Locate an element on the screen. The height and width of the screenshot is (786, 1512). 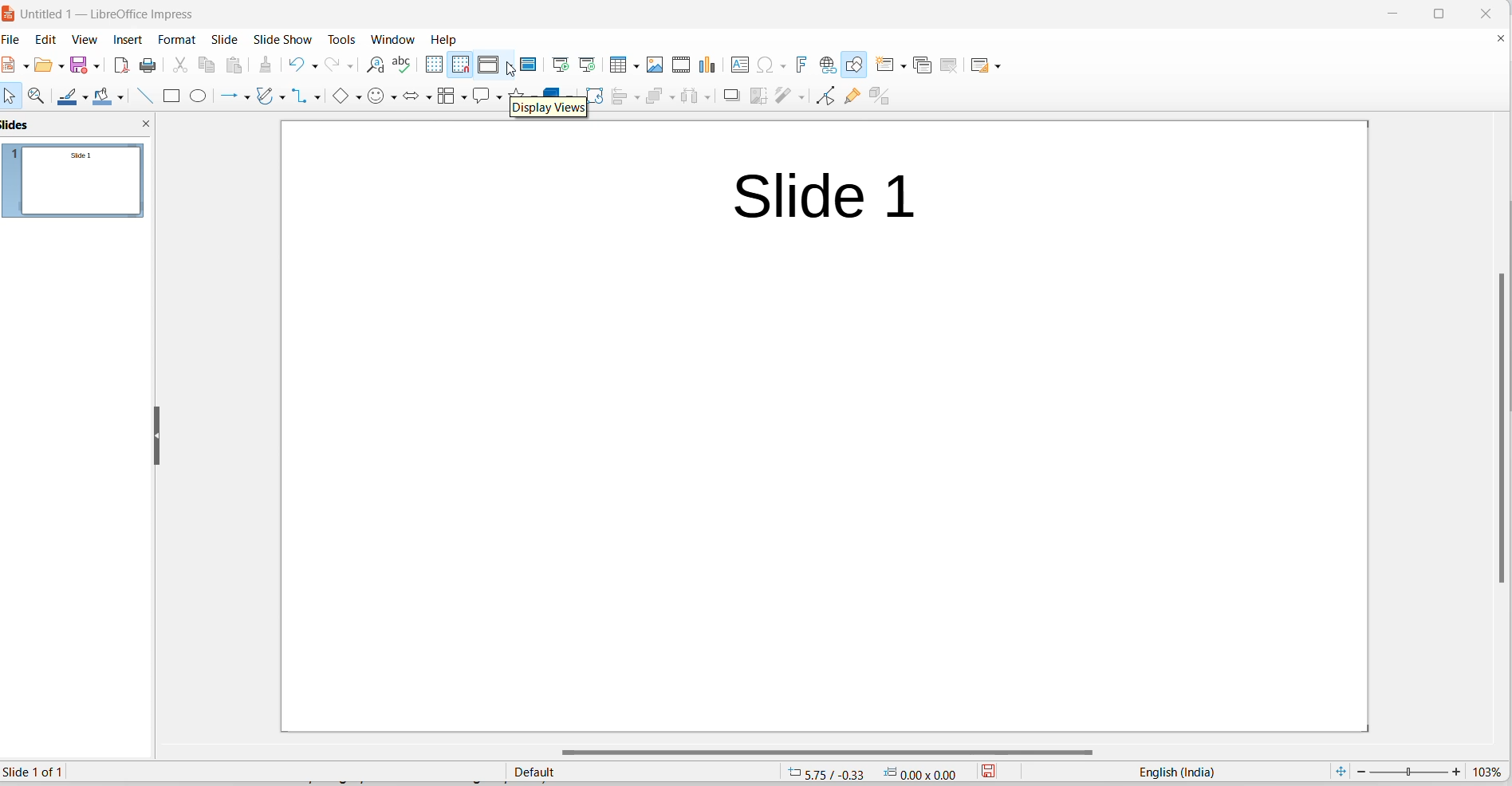
insert text is located at coordinates (741, 65).